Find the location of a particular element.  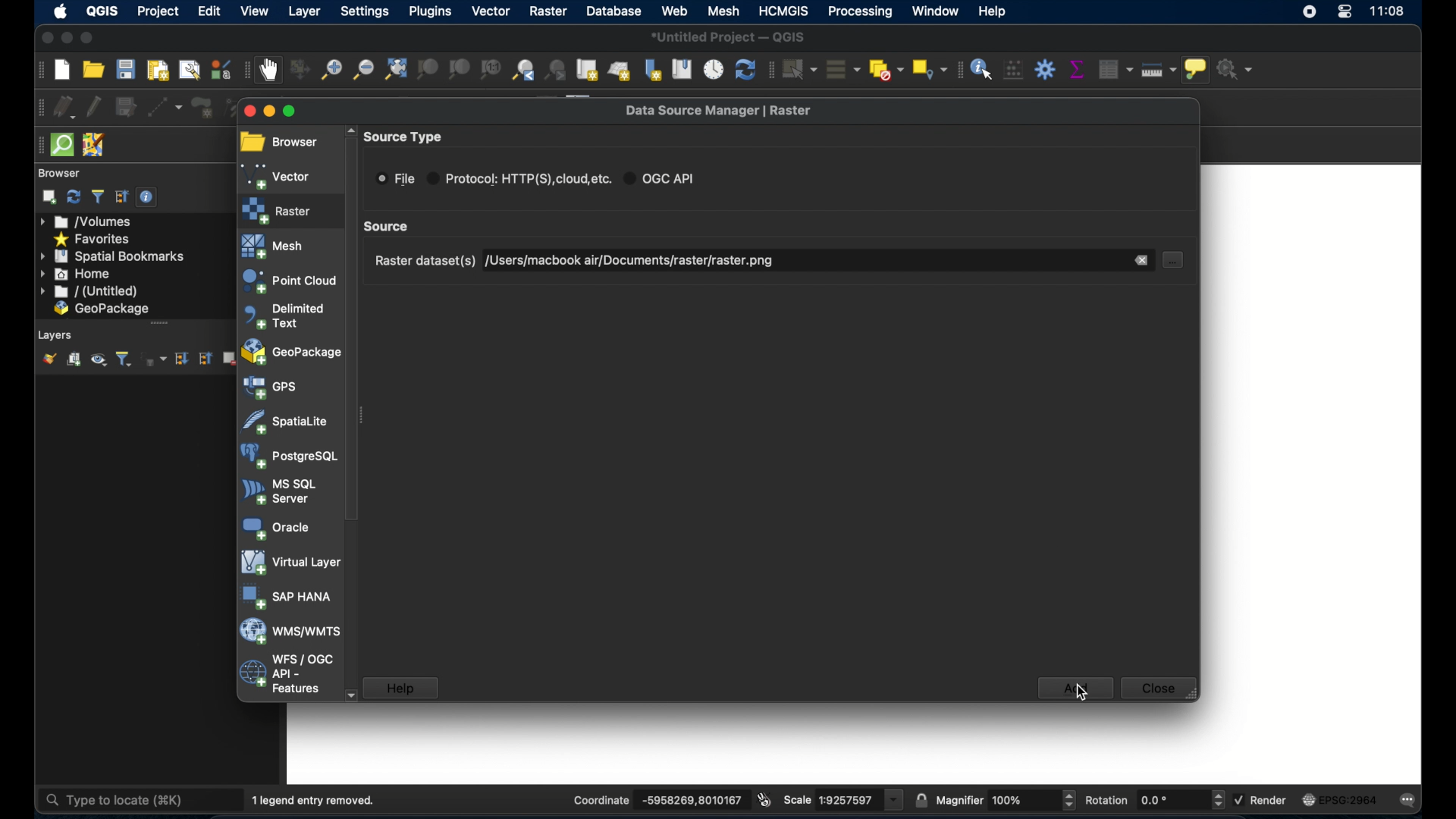

geopackage is located at coordinates (289, 350).